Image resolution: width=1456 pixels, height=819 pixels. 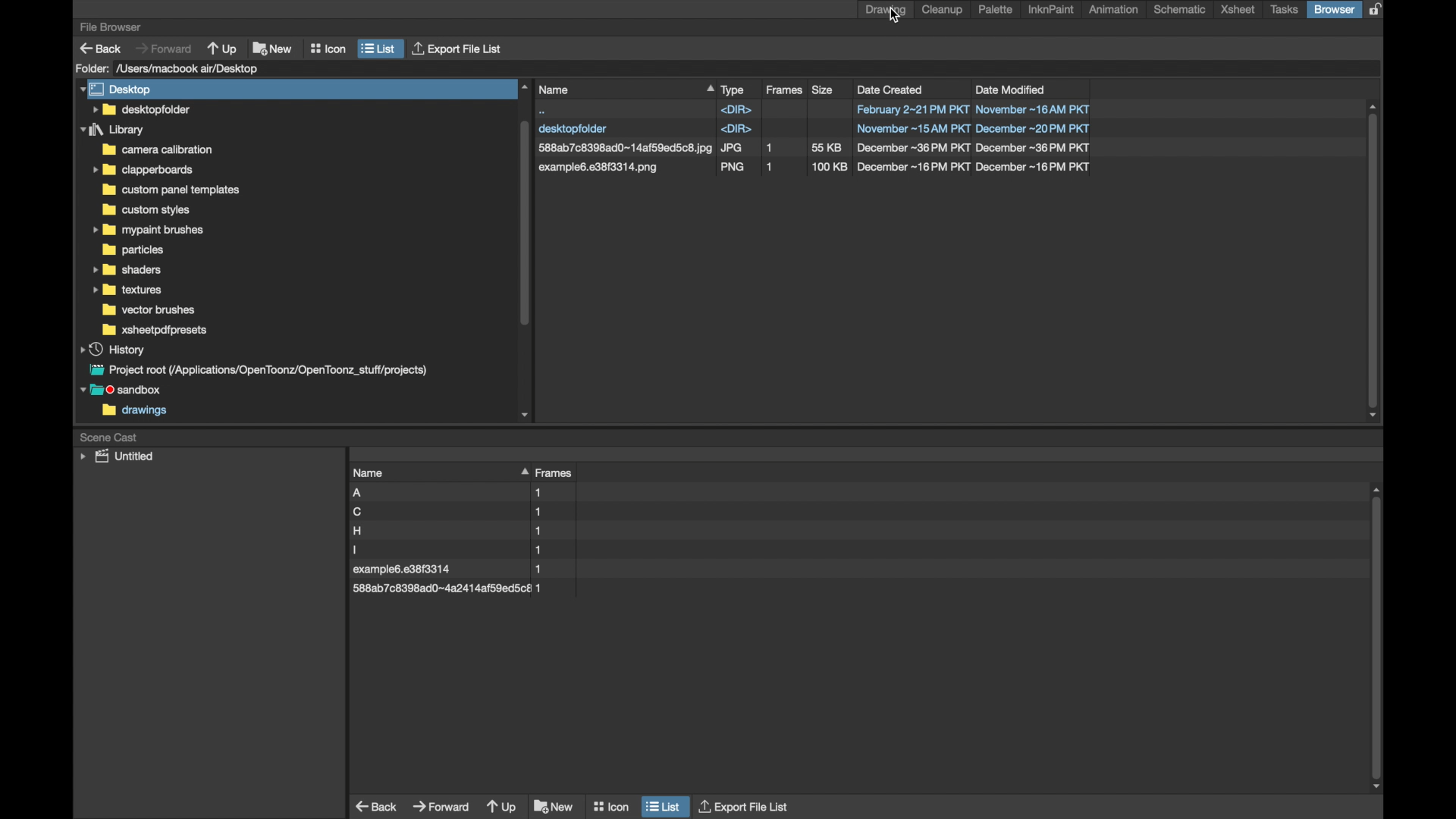 What do you see at coordinates (133, 250) in the screenshot?
I see `folder` at bounding box center [133, 250].